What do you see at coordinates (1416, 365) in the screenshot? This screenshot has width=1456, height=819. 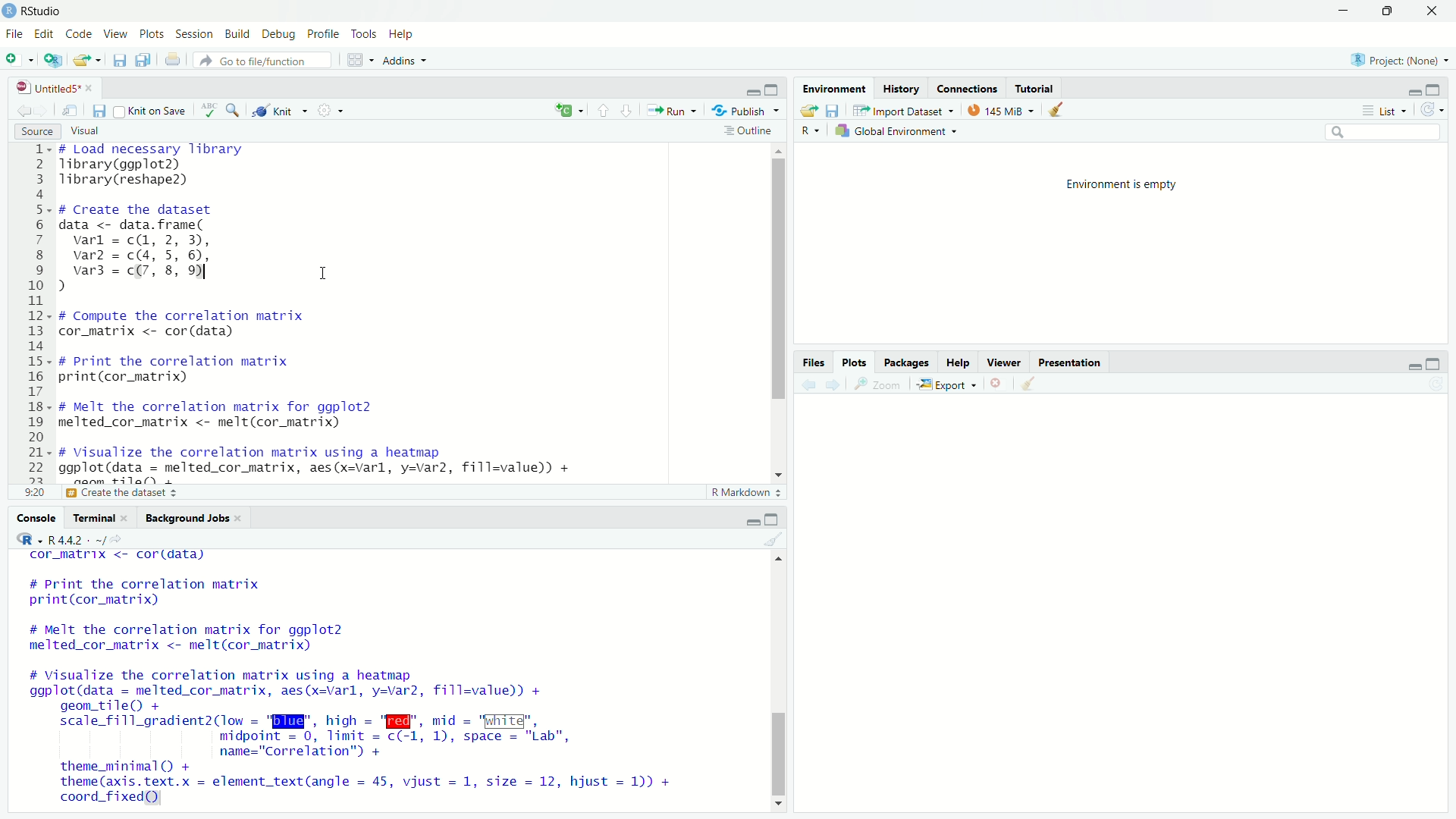 I see `minimize` at bounding box center [1416, 365].